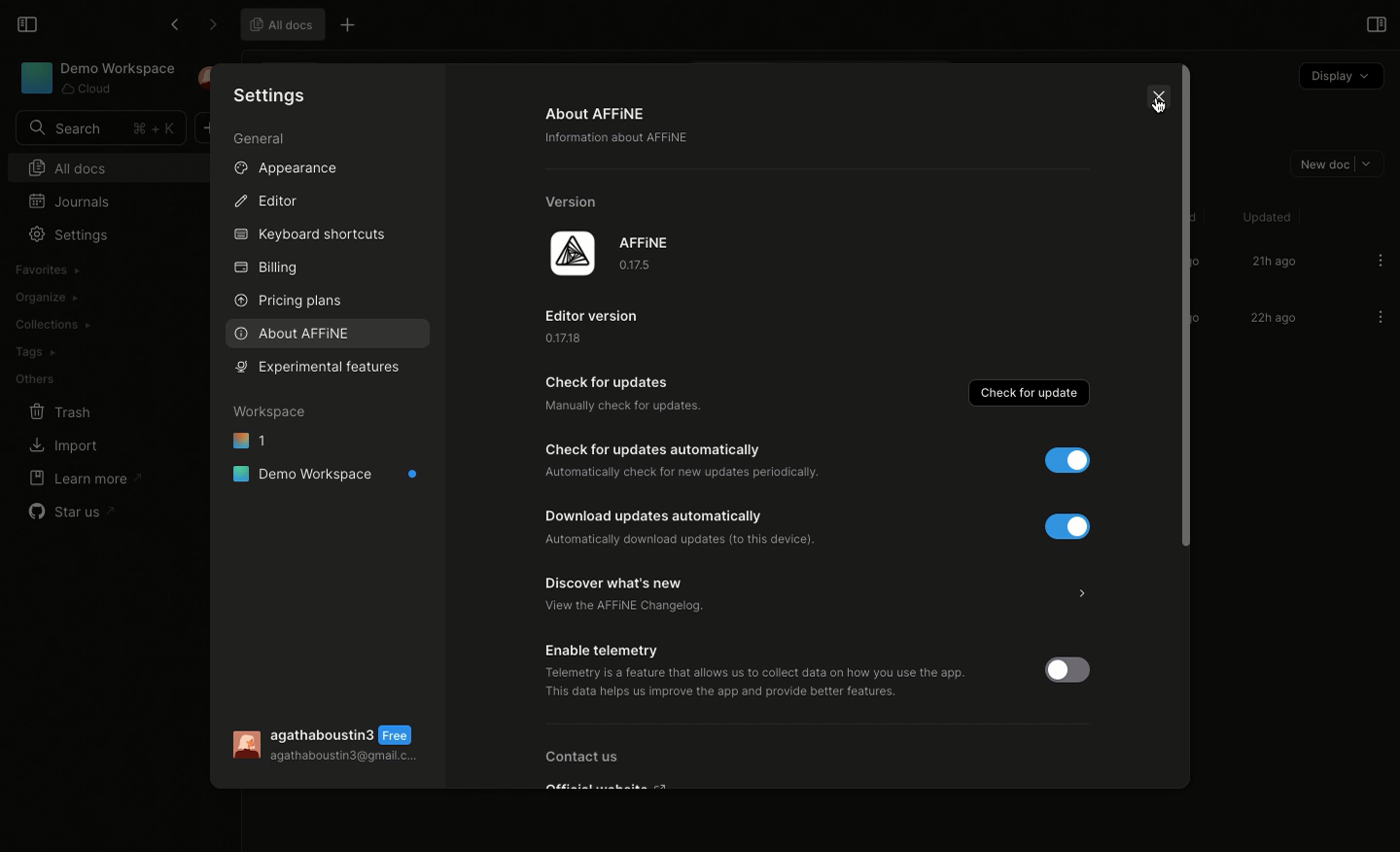 The width and height of the screenshot is (1400, 852). I want to click on Back, so click(174, 24).